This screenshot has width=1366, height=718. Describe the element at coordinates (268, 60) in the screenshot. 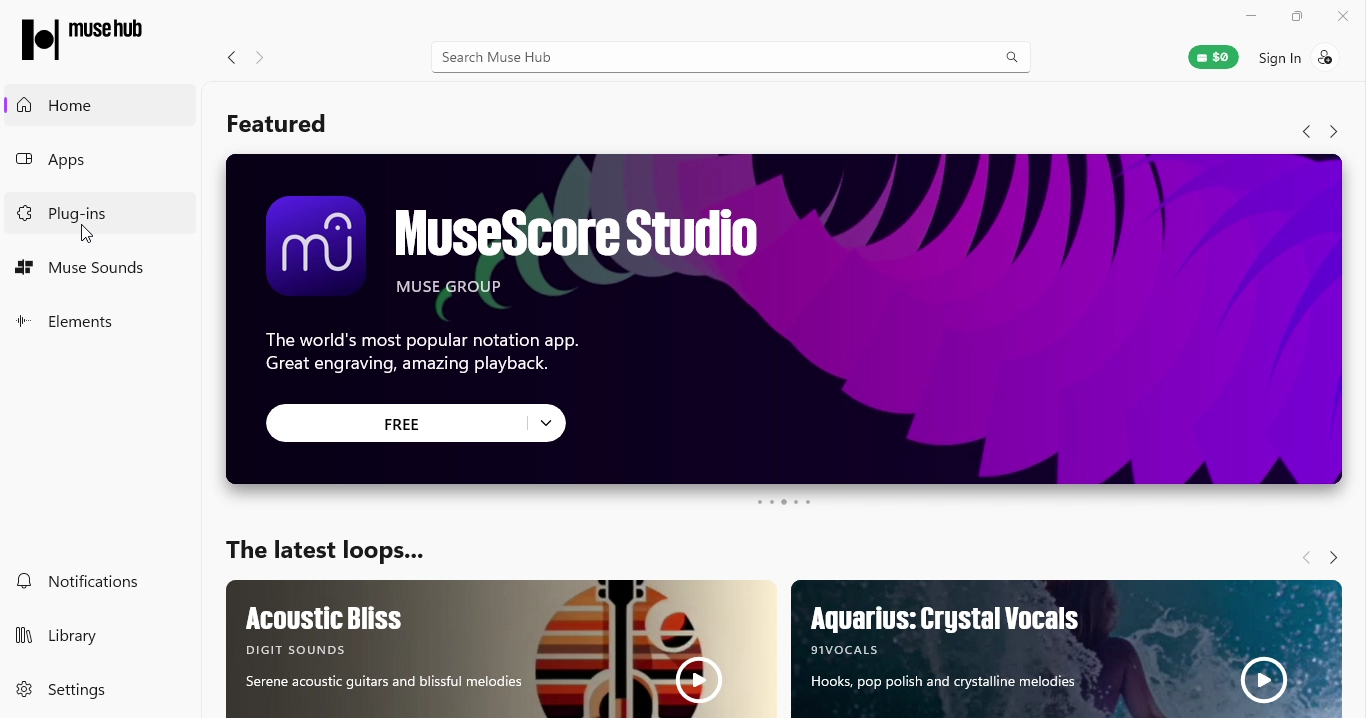

I see `Navigate forward` at that location.